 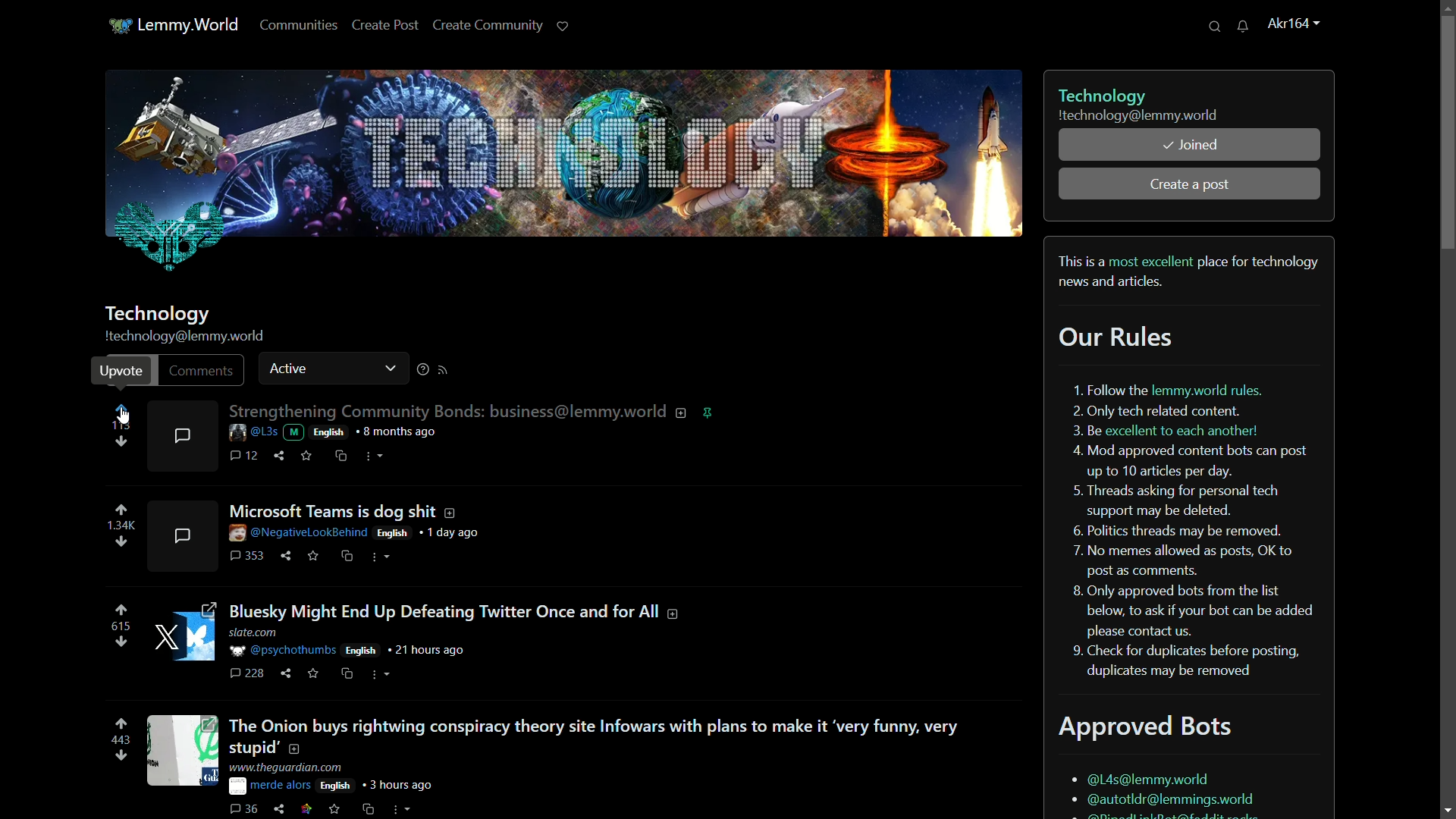 What do you see at coordinates (202, 371) in the screenshot?
I see `comments` at bounding box center [202, 371].